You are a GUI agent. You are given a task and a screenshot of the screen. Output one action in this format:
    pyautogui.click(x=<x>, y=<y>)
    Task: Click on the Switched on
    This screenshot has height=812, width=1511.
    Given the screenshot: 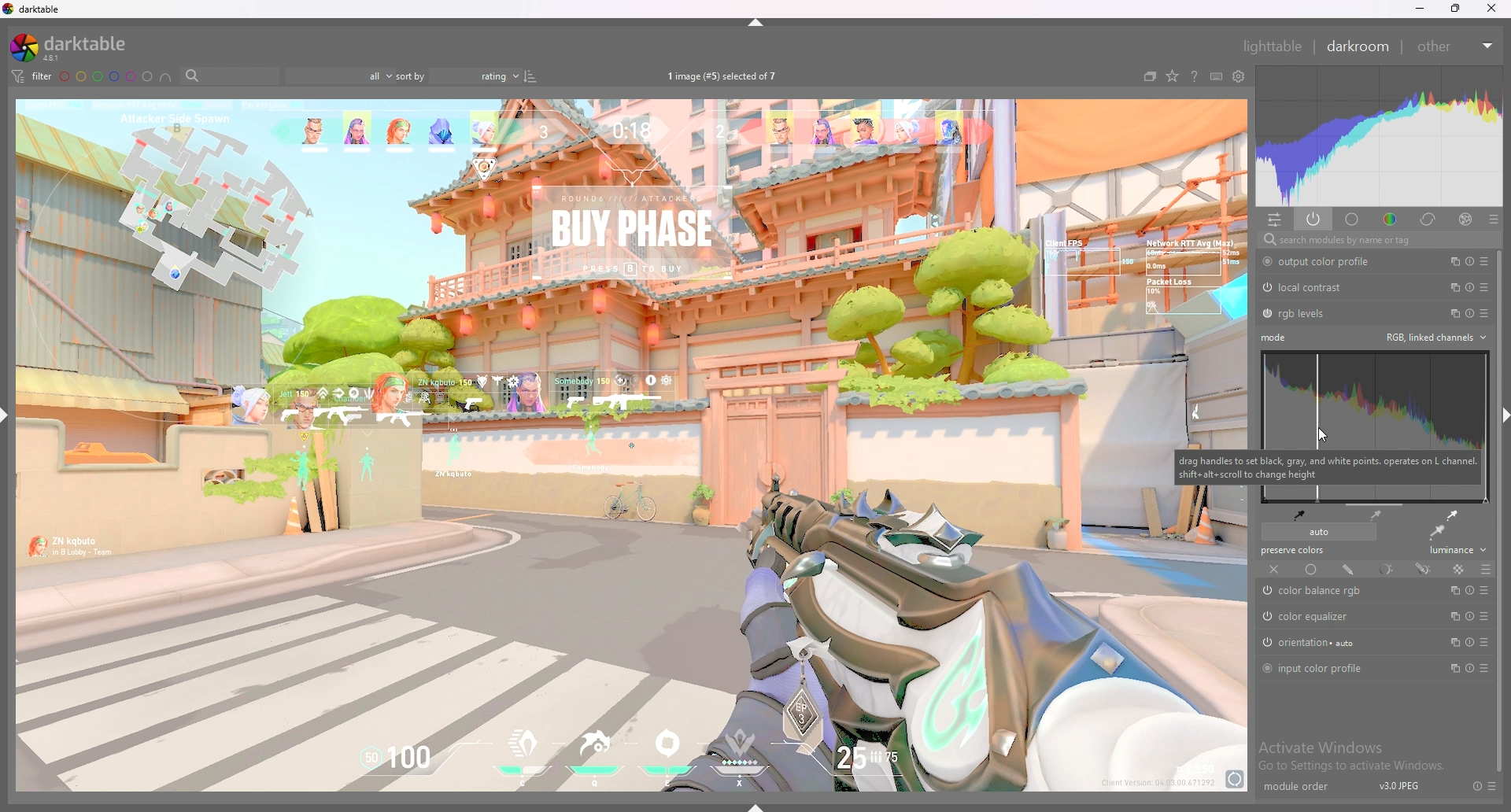 What is the action you would take?
    pyautogui.click(x=1266, y=314)
    